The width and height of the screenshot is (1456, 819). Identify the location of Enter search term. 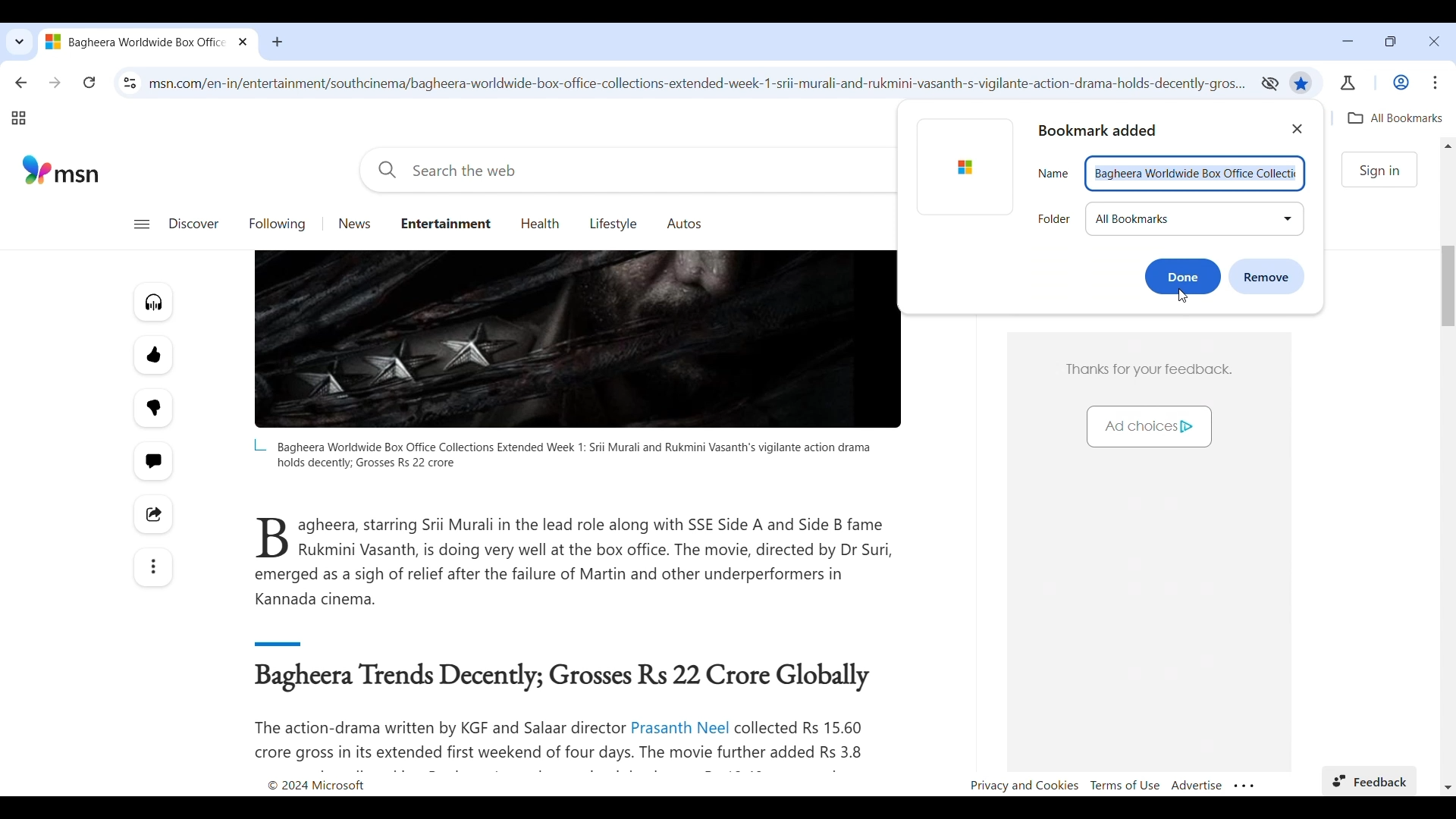
(626, 170).